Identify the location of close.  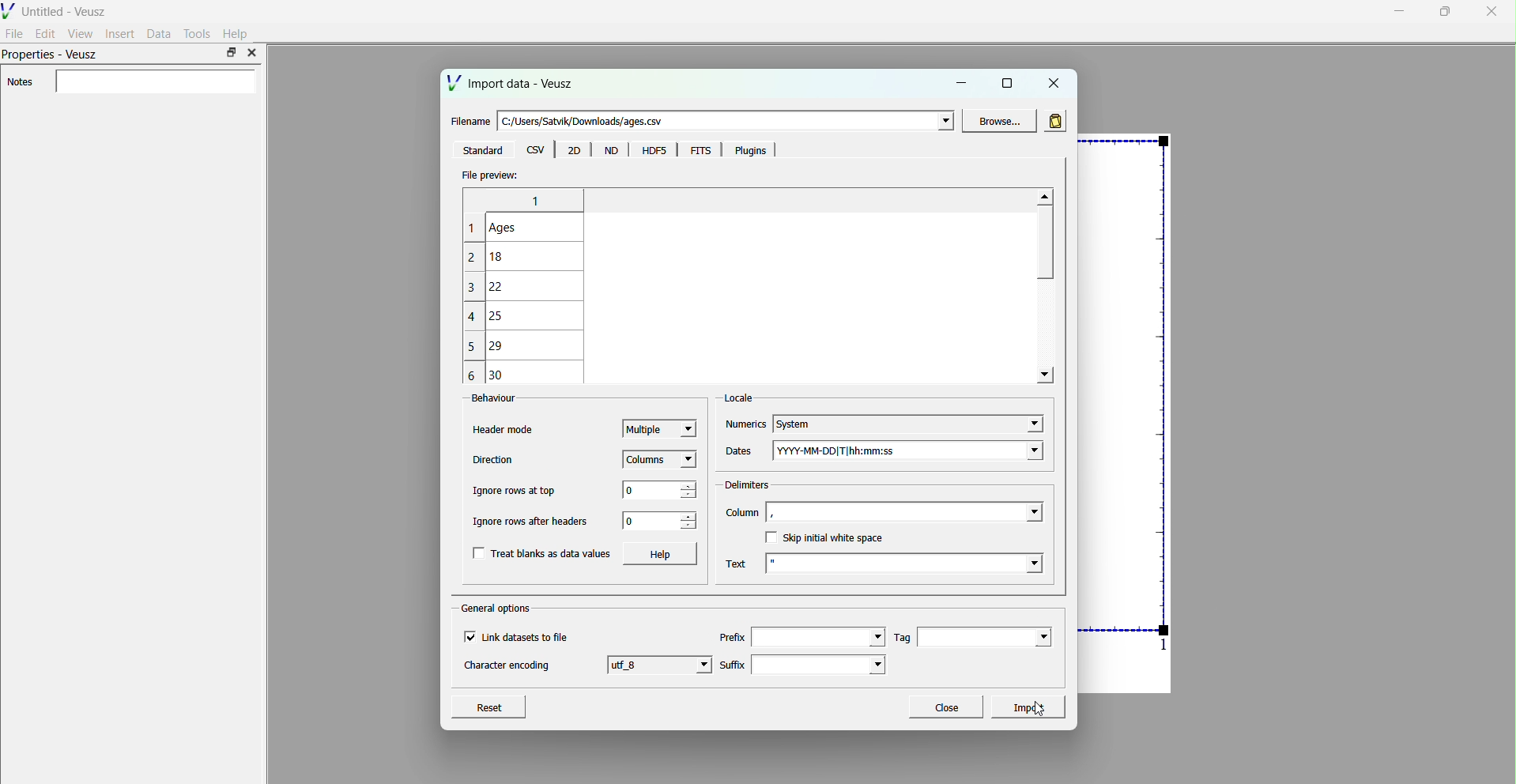
(251, 53).